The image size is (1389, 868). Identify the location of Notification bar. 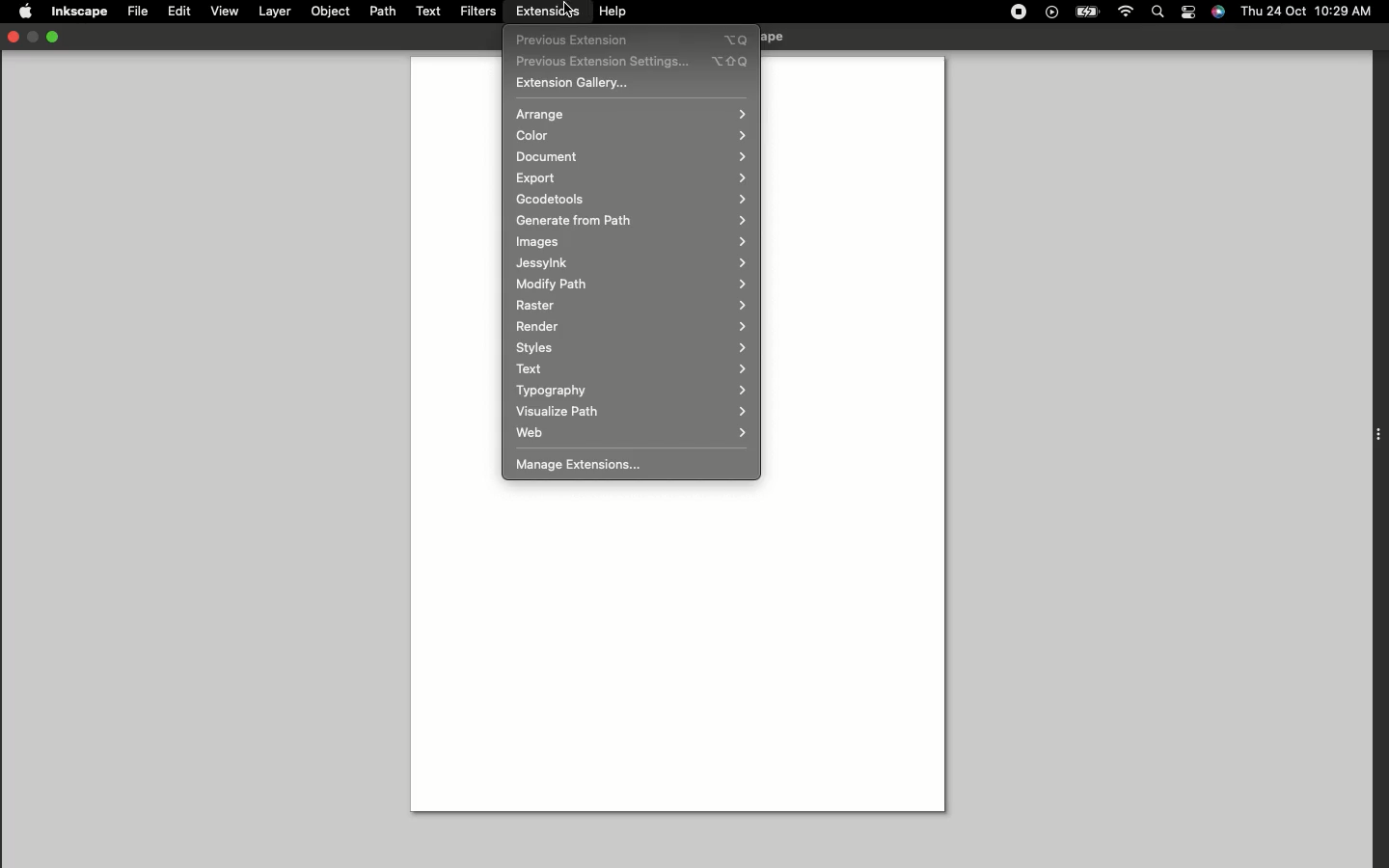
(1188, 13).